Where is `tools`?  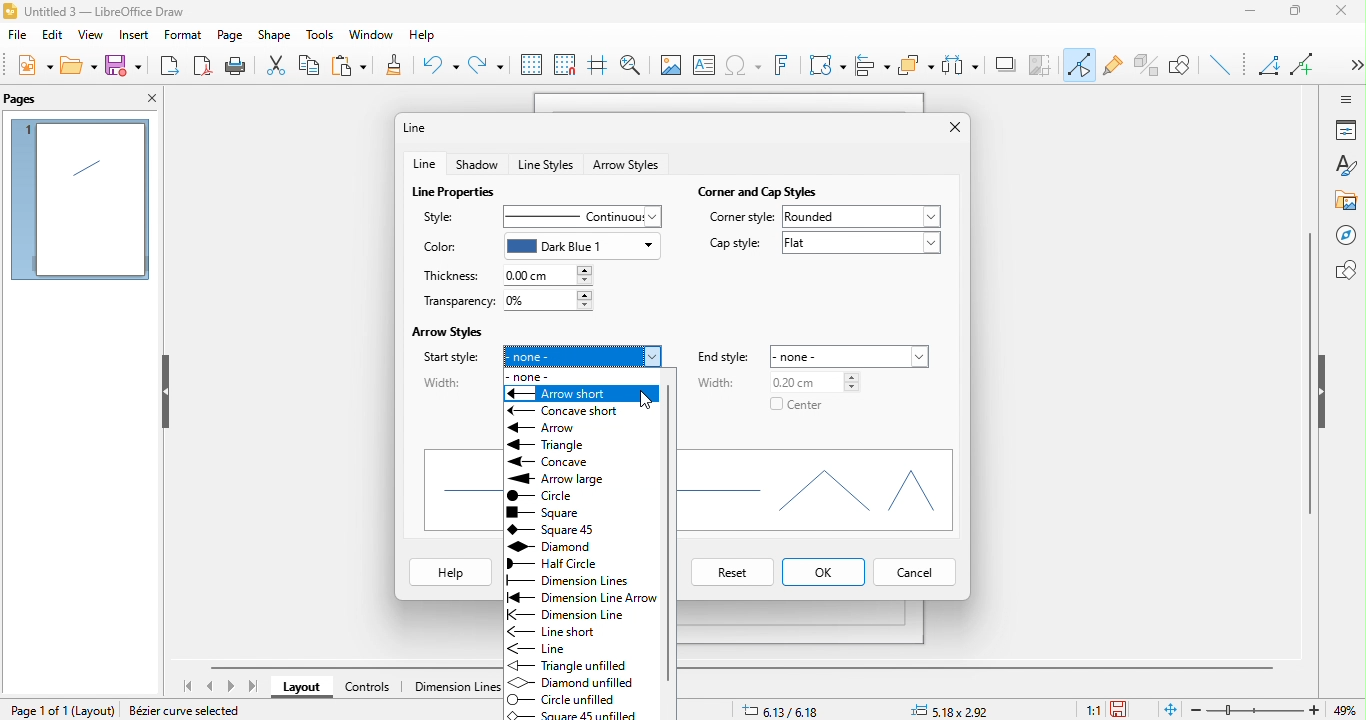
tools is located at coordinates (315, 34).